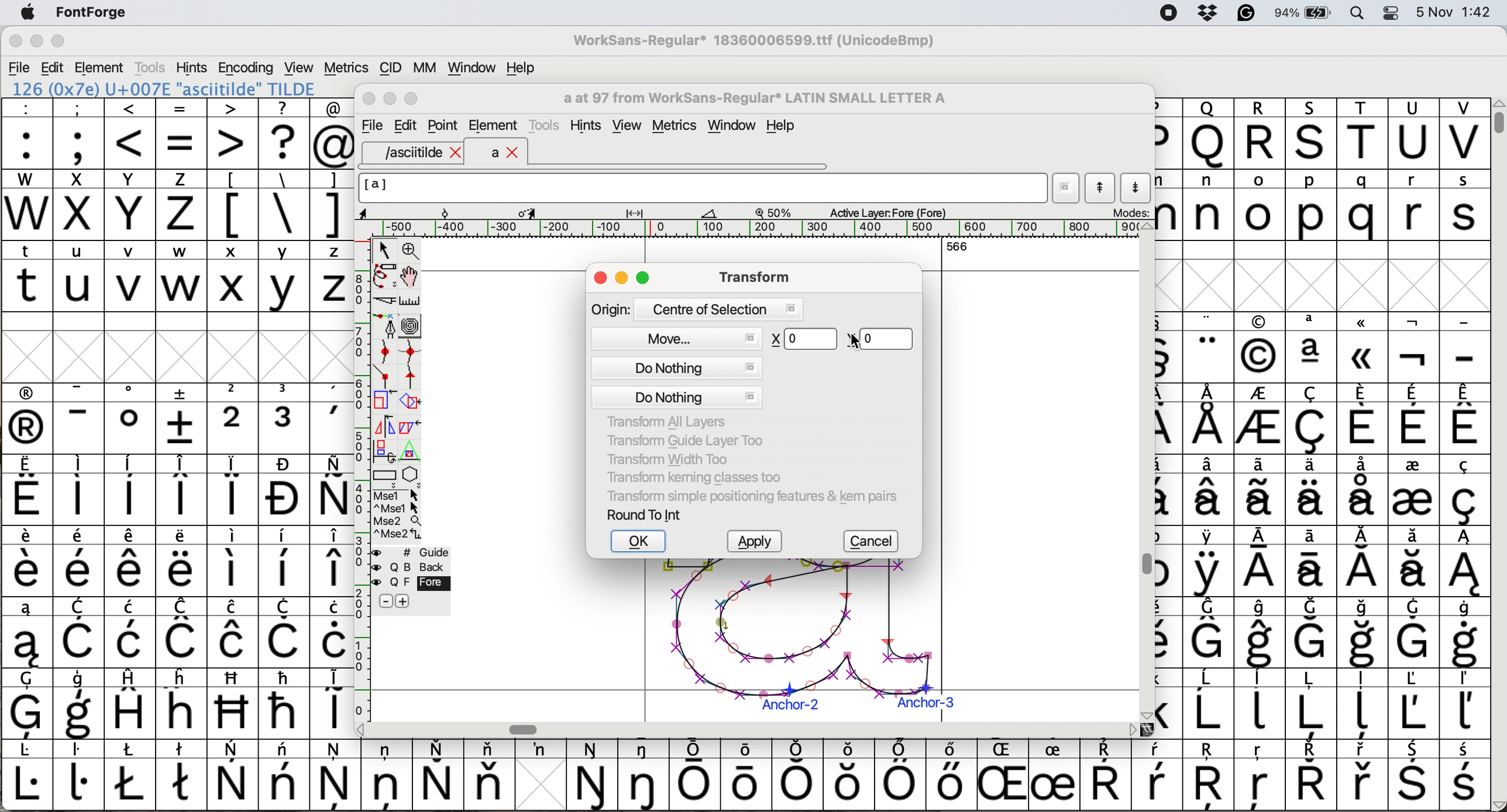 This screenshot has width=1507, height=812. Describe the element at coordinates (387, 773) in the screenshot. I see `symbol` at that location.